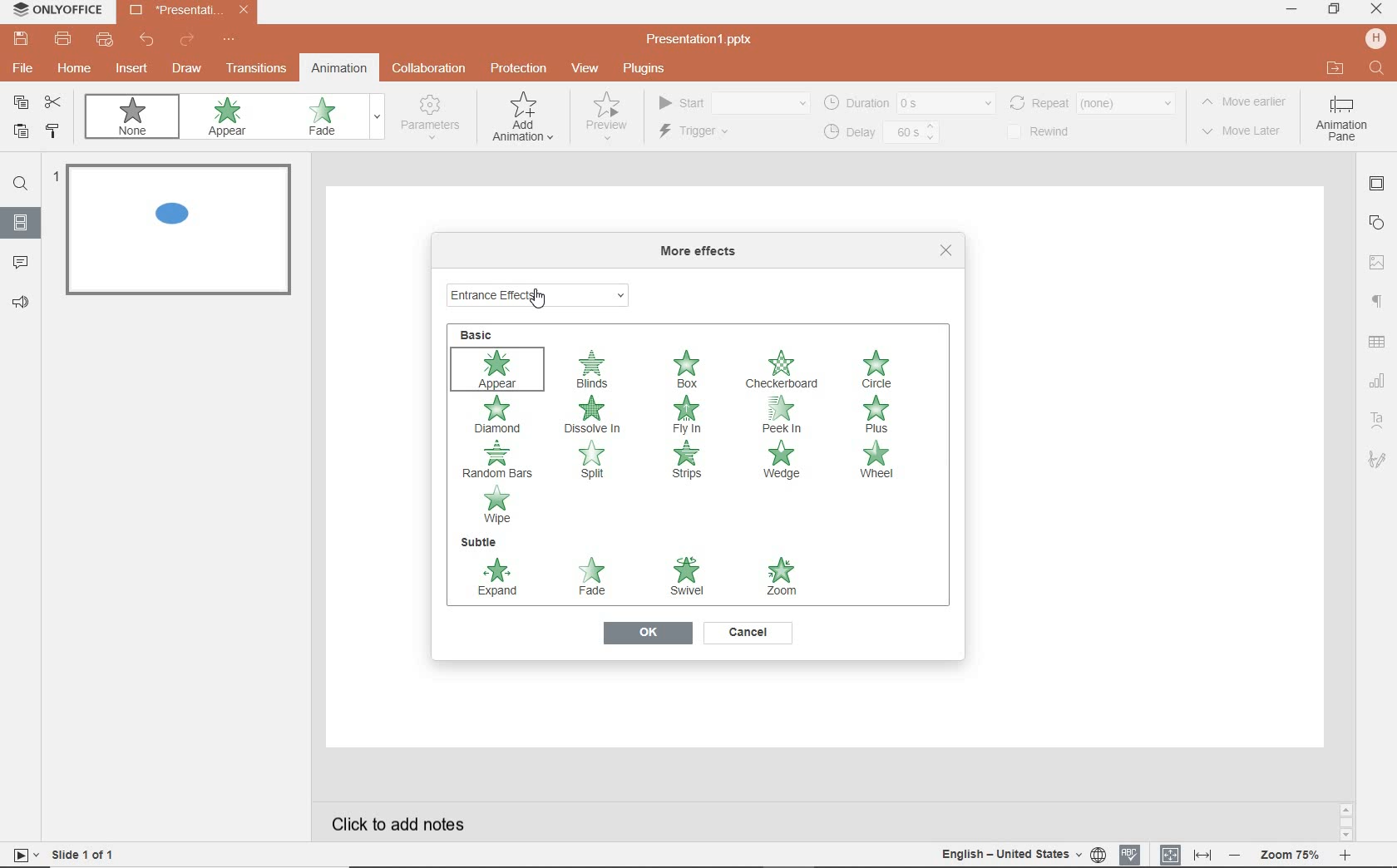  What do you see at coordinates (57, 10) in the screenshot?
I see `system name` at bounding box center [57, 10].